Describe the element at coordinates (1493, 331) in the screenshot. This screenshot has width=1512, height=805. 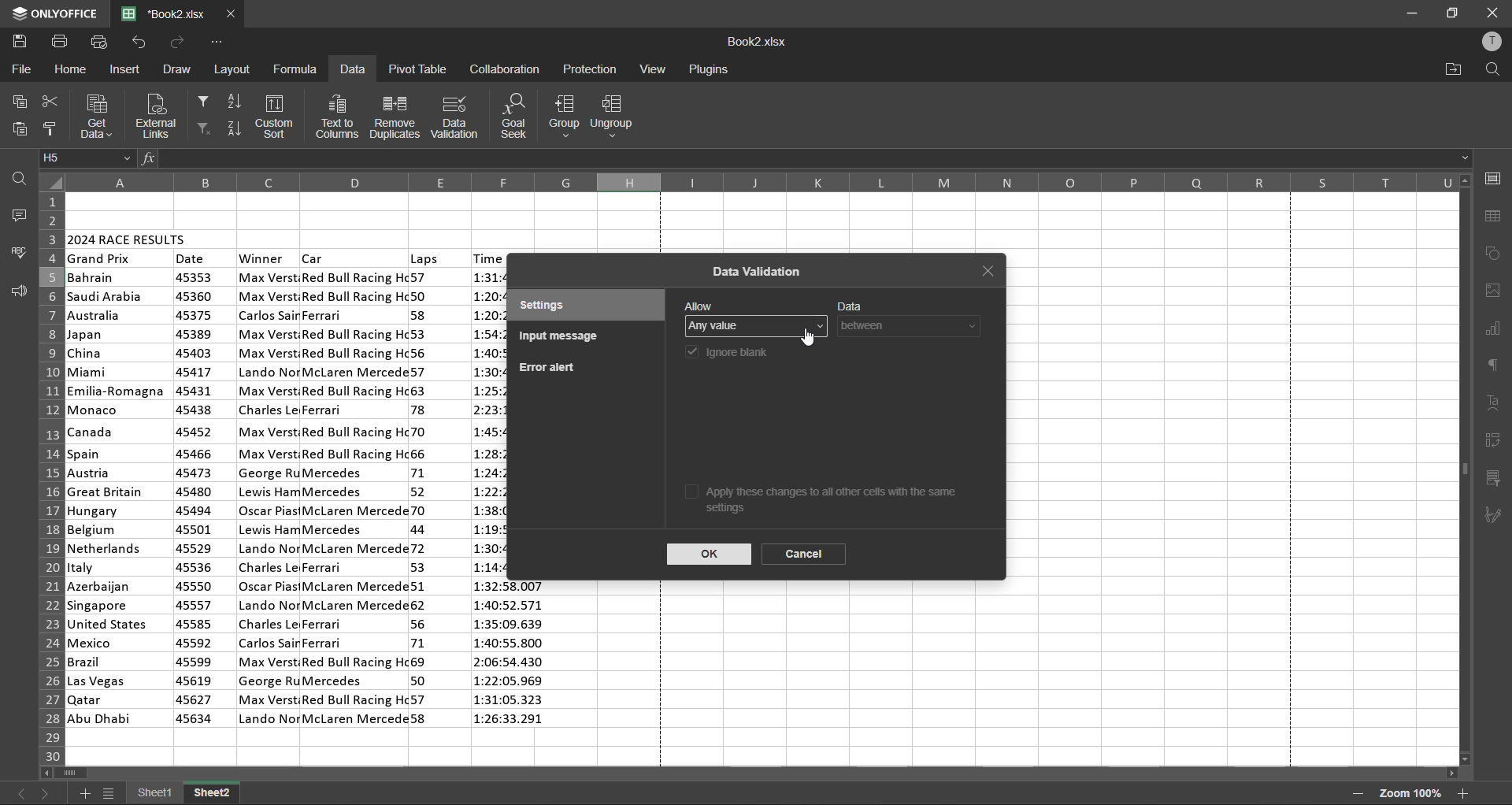
I see `charts` at that location.